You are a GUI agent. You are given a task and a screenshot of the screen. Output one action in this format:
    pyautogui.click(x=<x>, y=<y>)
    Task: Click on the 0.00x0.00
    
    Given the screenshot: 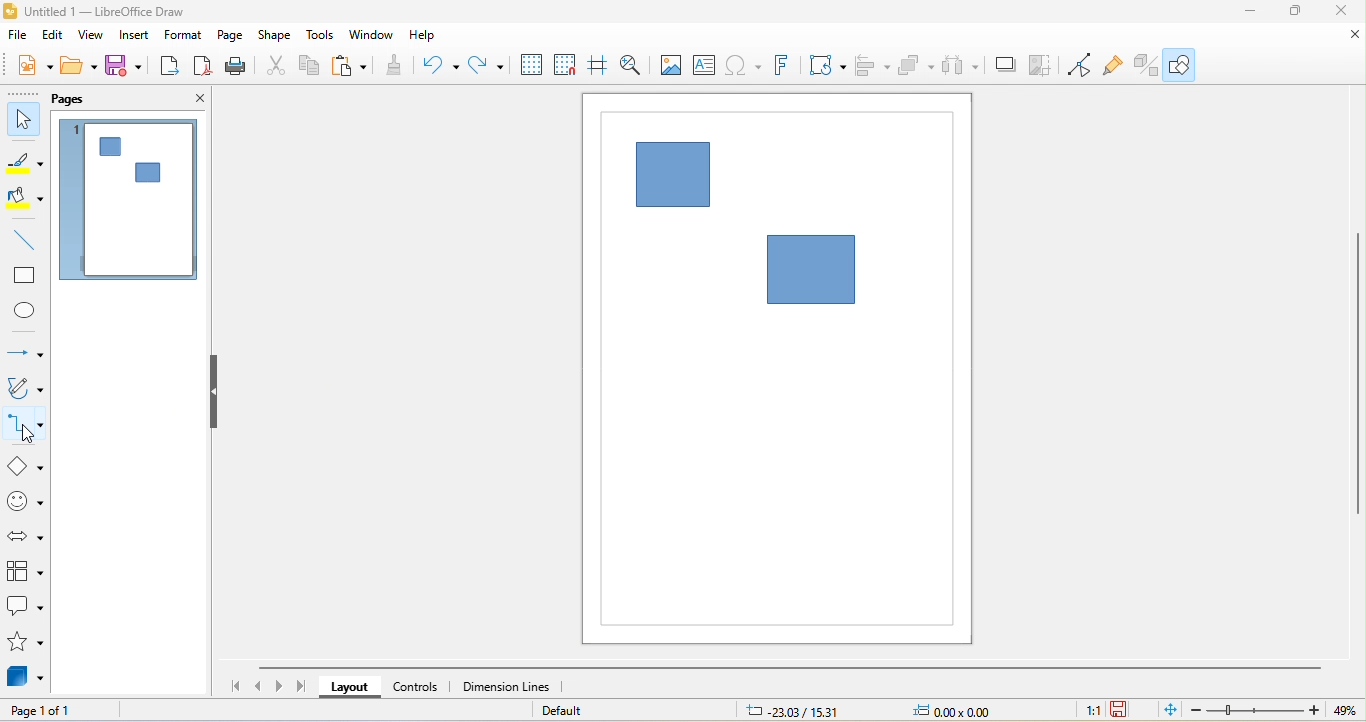 What is the action you would take?
    pyautogui.click(x=958, y=712)
    